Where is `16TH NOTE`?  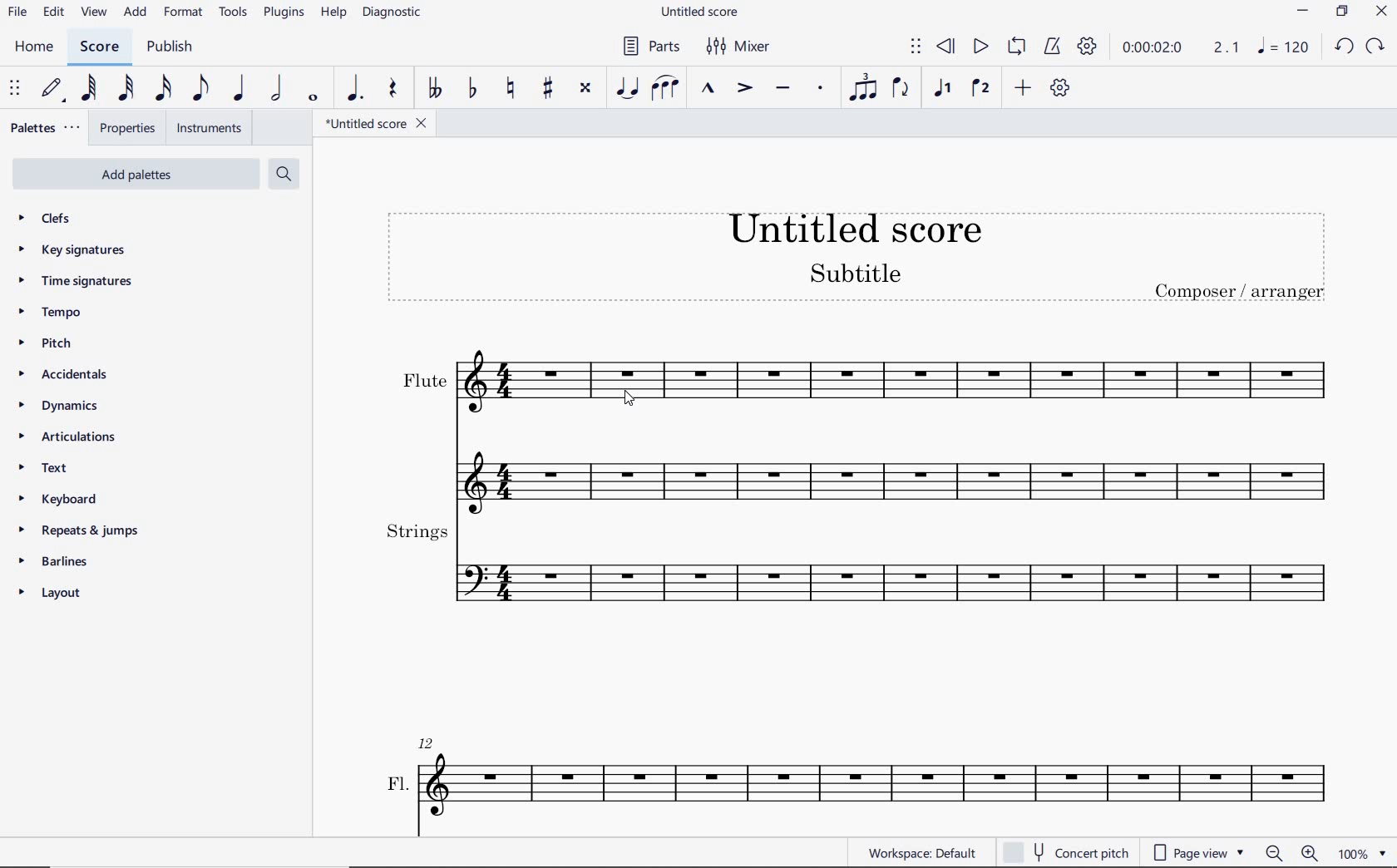
16TH NOTE is located at coordinates (163, 88).